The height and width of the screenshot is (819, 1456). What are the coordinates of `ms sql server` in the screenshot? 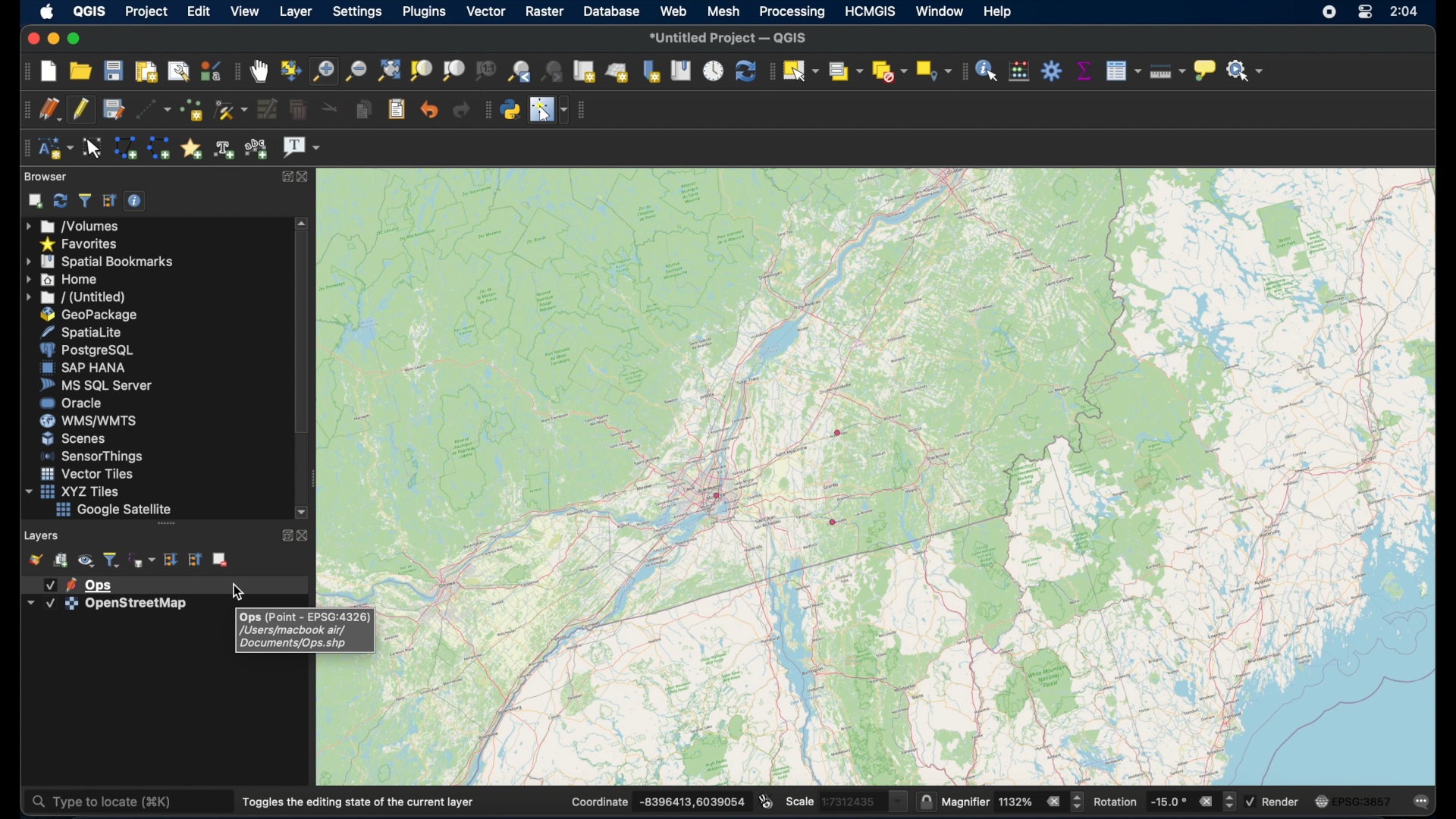 It's located at (93, 384).